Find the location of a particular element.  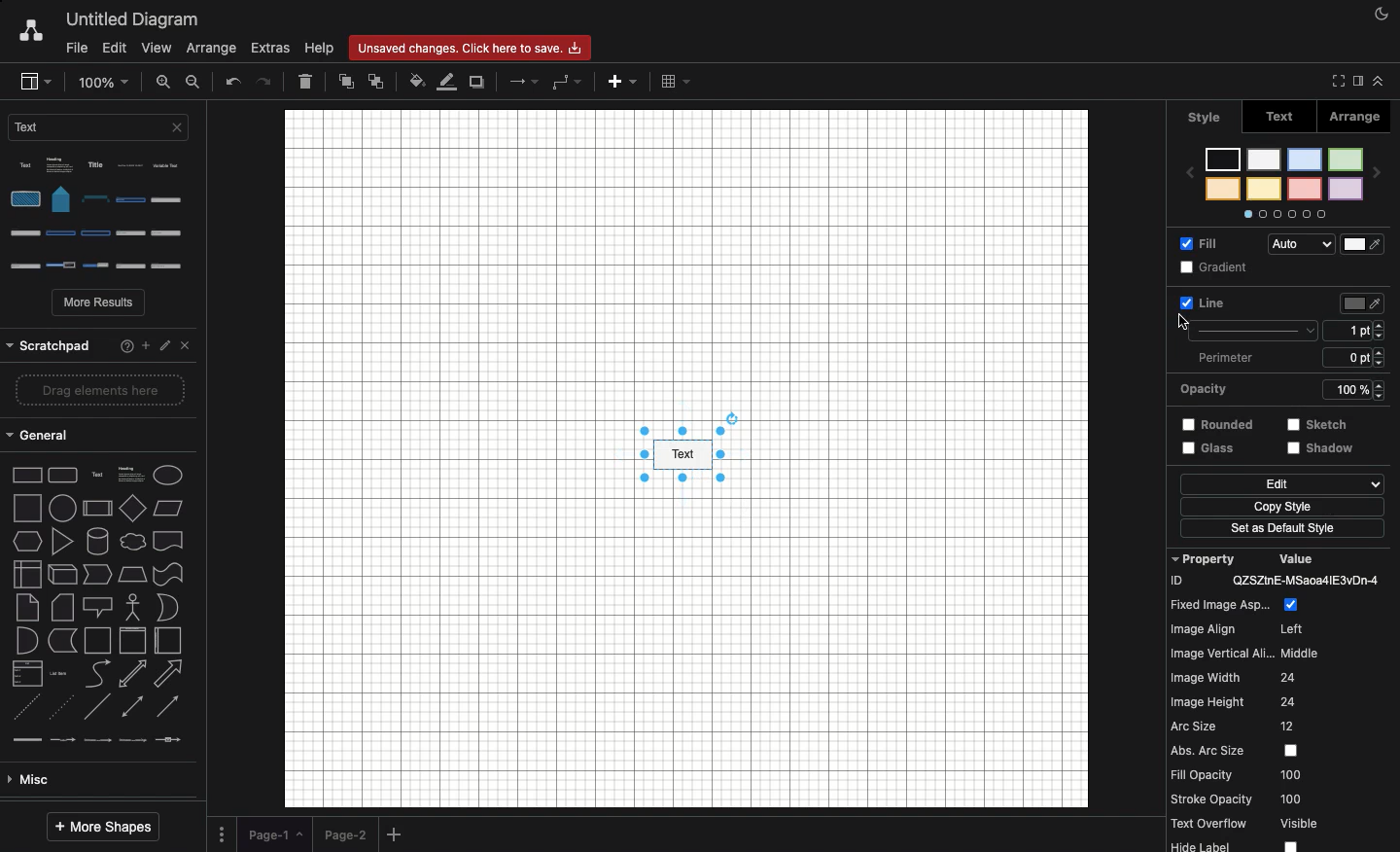

Rounded is located at coordinates (1212, 387).